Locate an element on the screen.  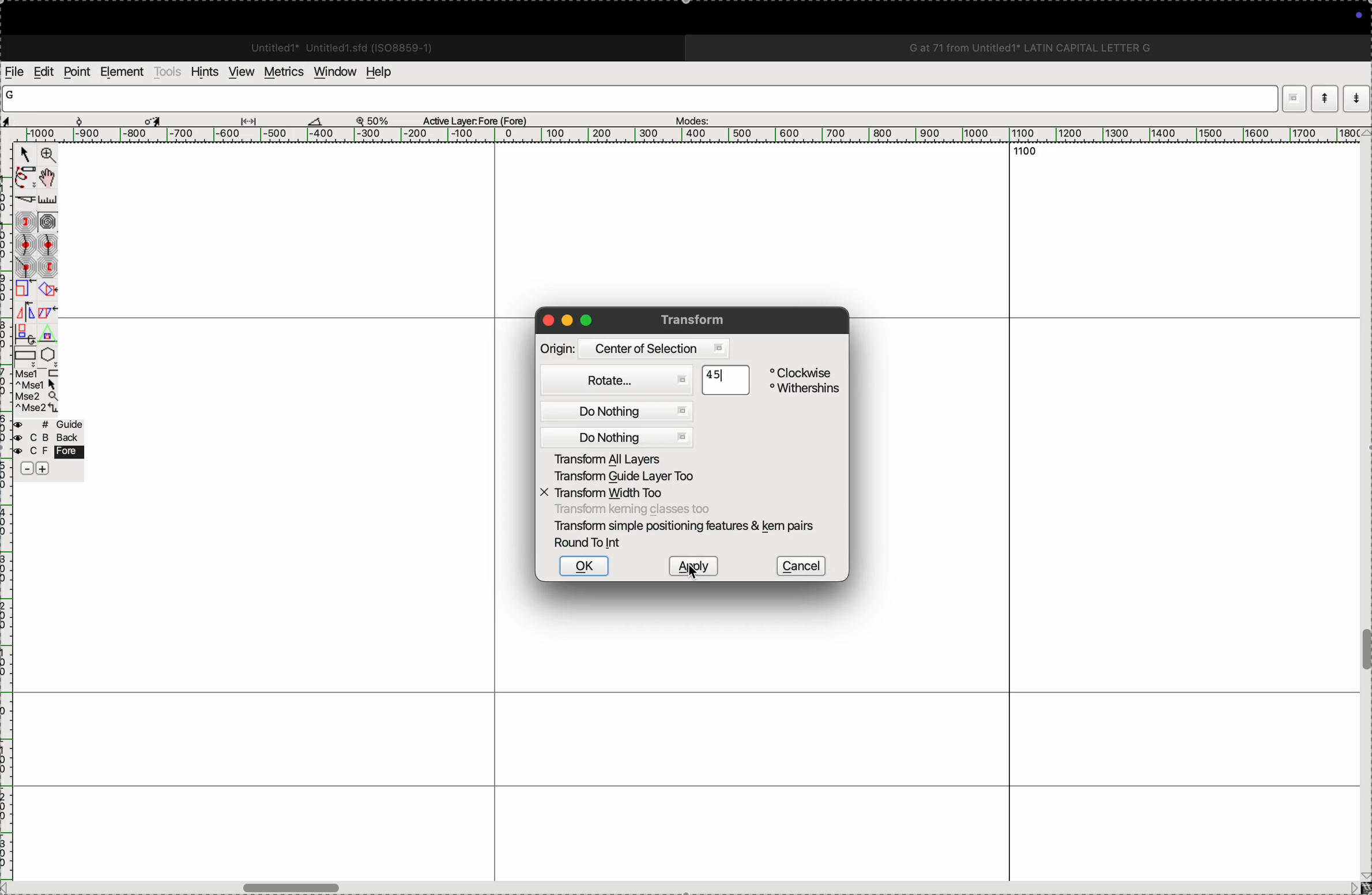
elements is located at coordinates (125, 72).